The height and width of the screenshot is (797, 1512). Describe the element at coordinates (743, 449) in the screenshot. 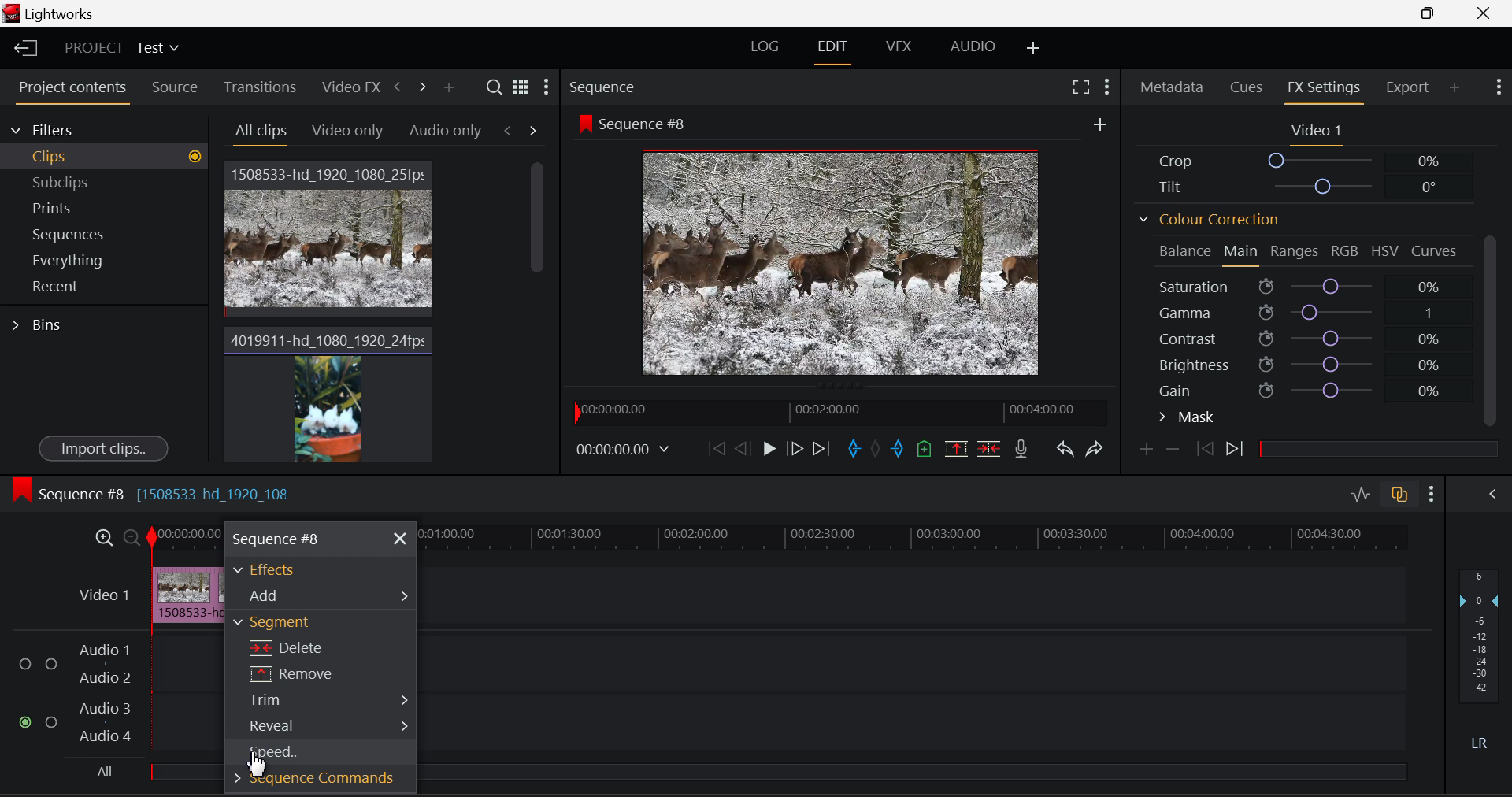

I see `Go Back` at that location.